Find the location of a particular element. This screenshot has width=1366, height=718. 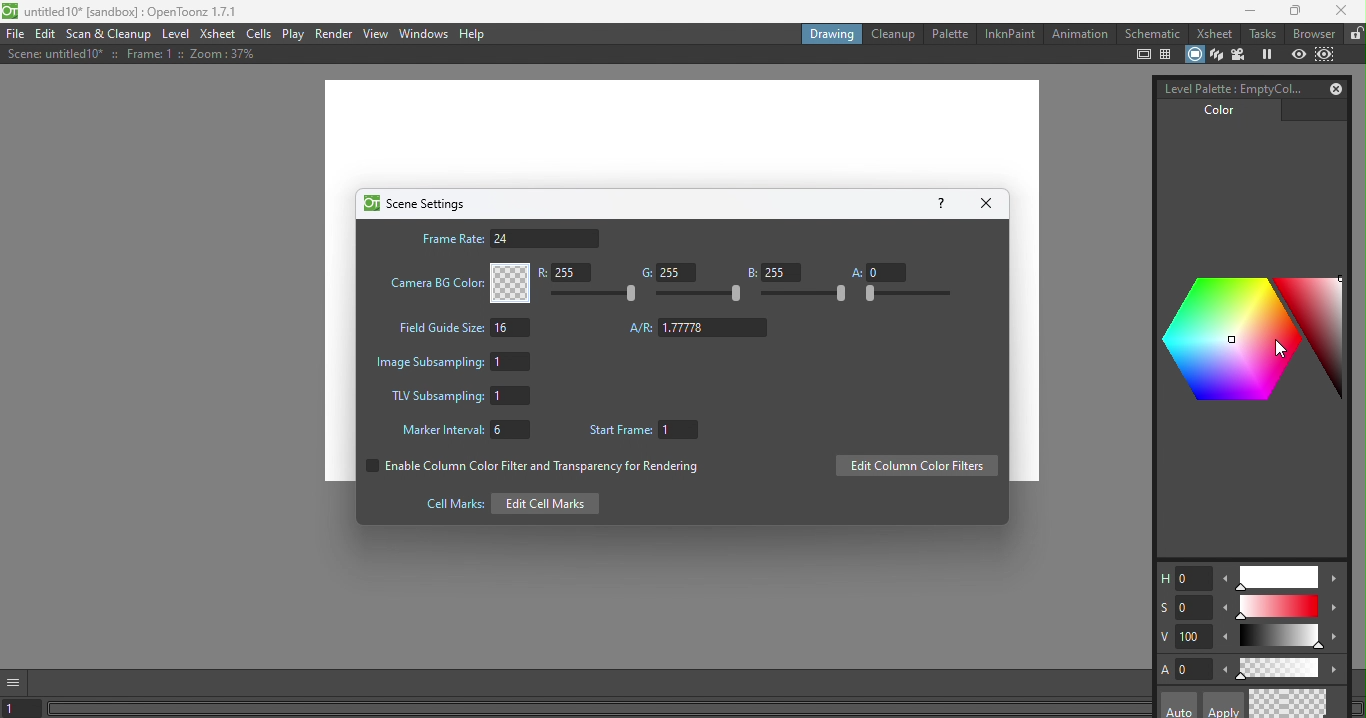

File is located at coordinates (15, 35).